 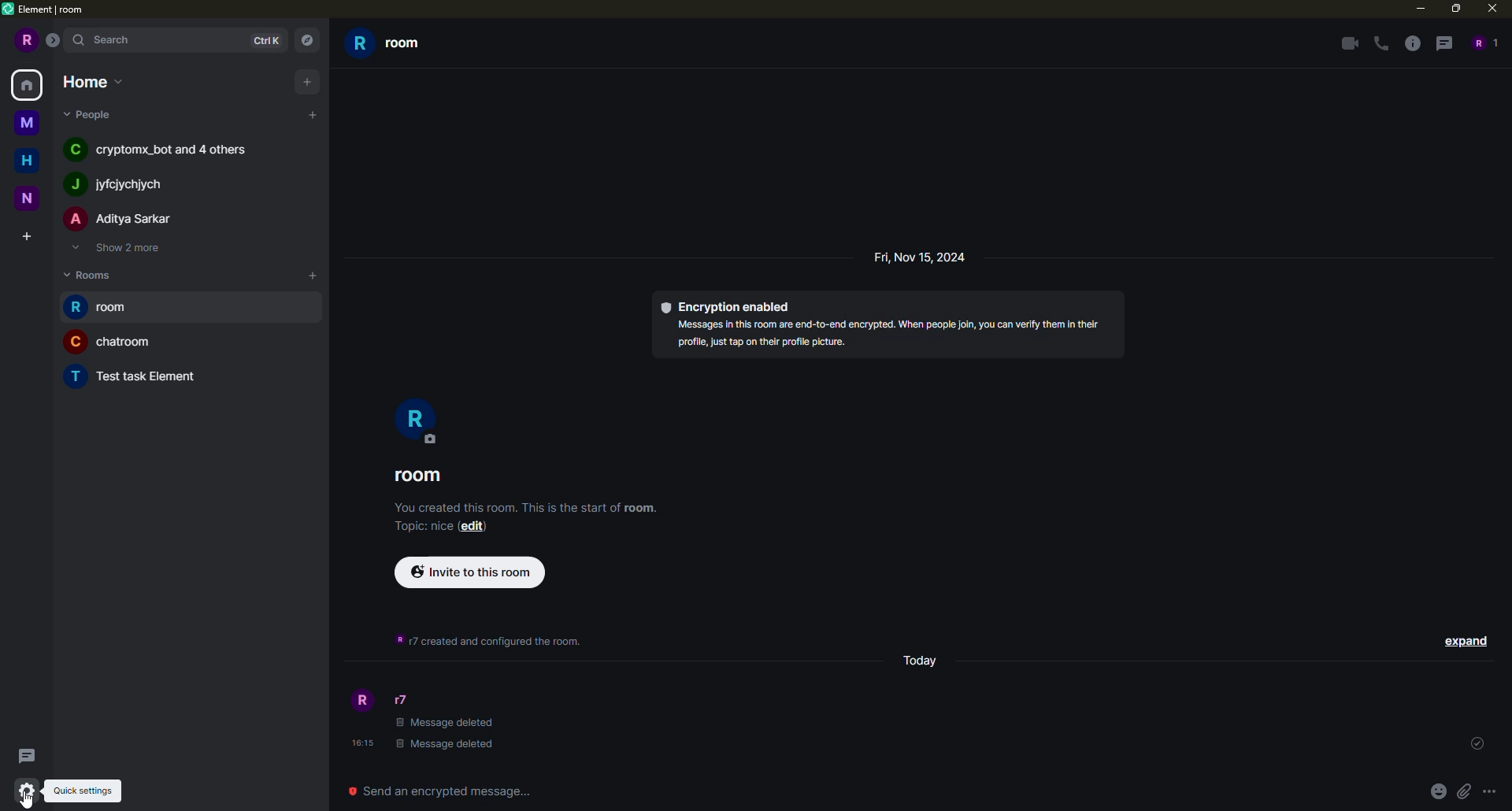 I want to click on edit, so click(x=476, y=528).